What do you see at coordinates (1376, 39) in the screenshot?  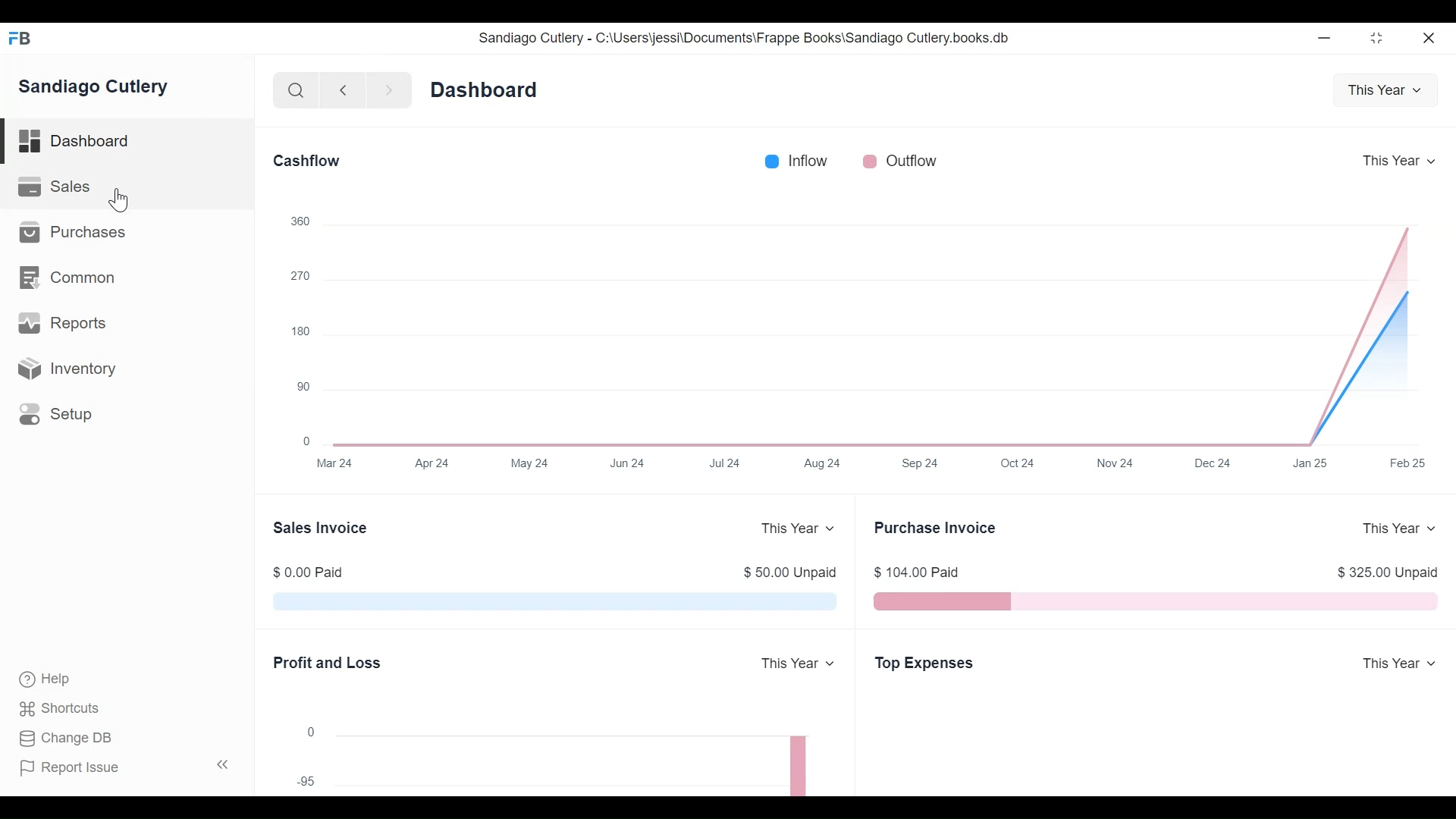 I see `Restore` at bounding box center [1376, 39].